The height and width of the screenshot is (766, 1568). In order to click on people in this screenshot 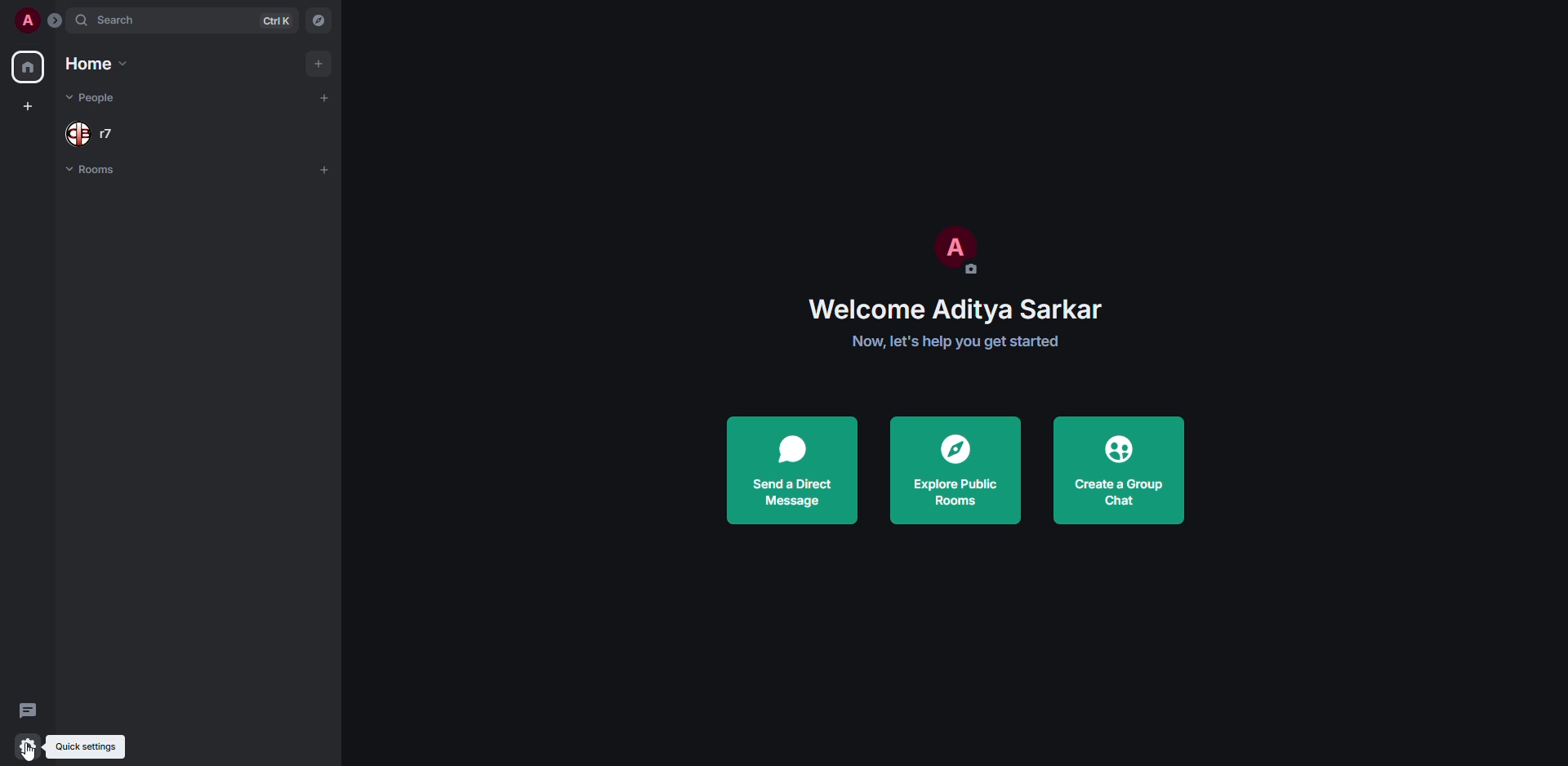, I will do `click(95, 99)`.